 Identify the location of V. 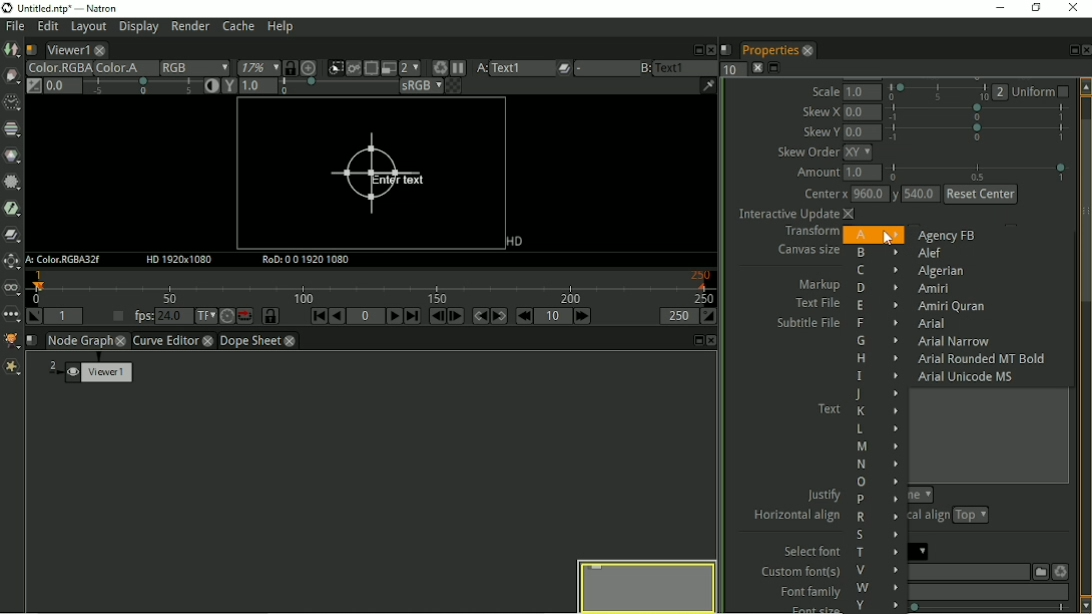
(875, 570).